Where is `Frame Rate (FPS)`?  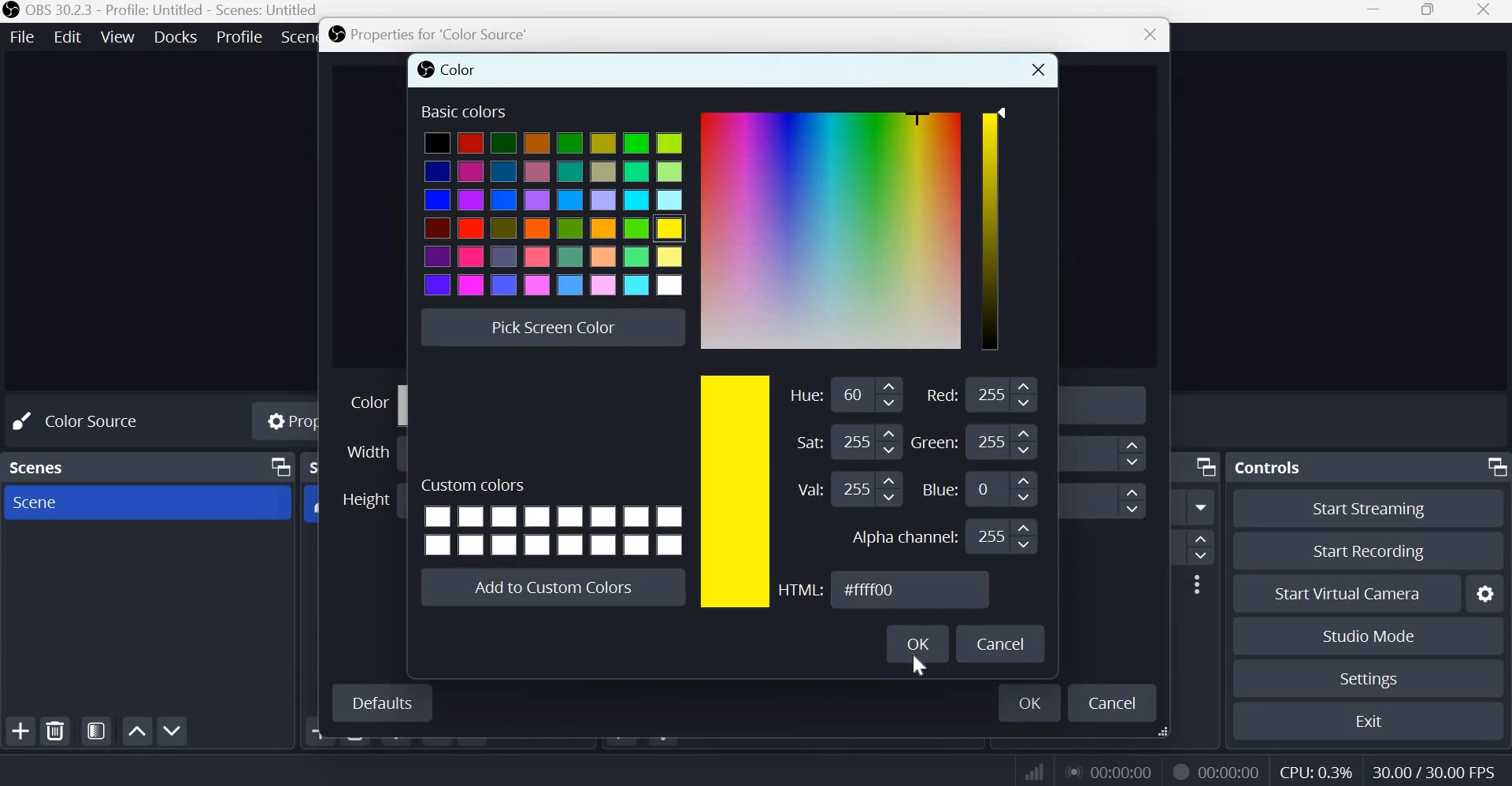
Frame Rate (FPS) is located at coordinates (1429, 770).